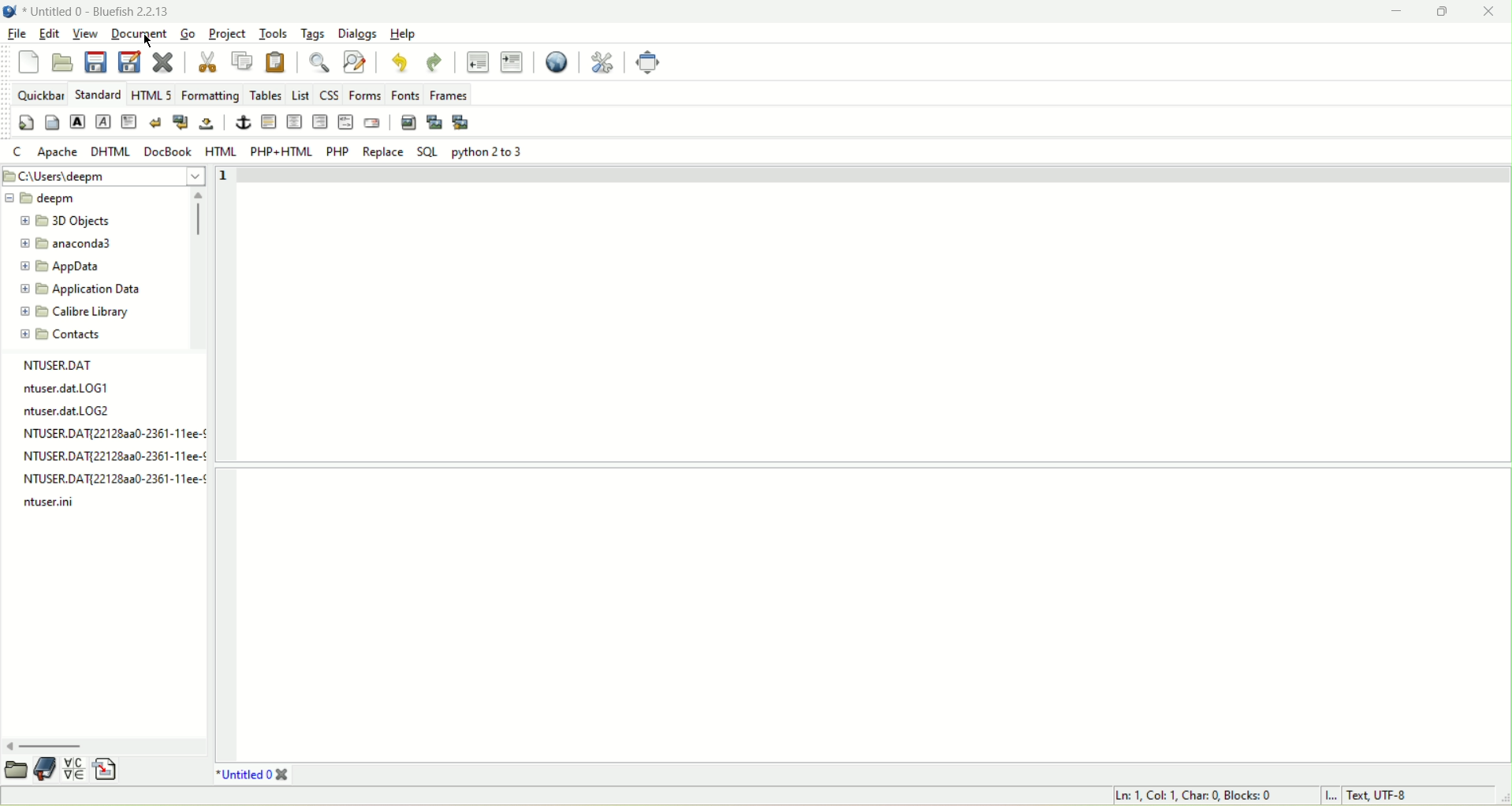 The image size is (1512, 806). What do you see at coordinates (371, 123) in the screenshot?
I see `email` at bounding box center [371, 123].